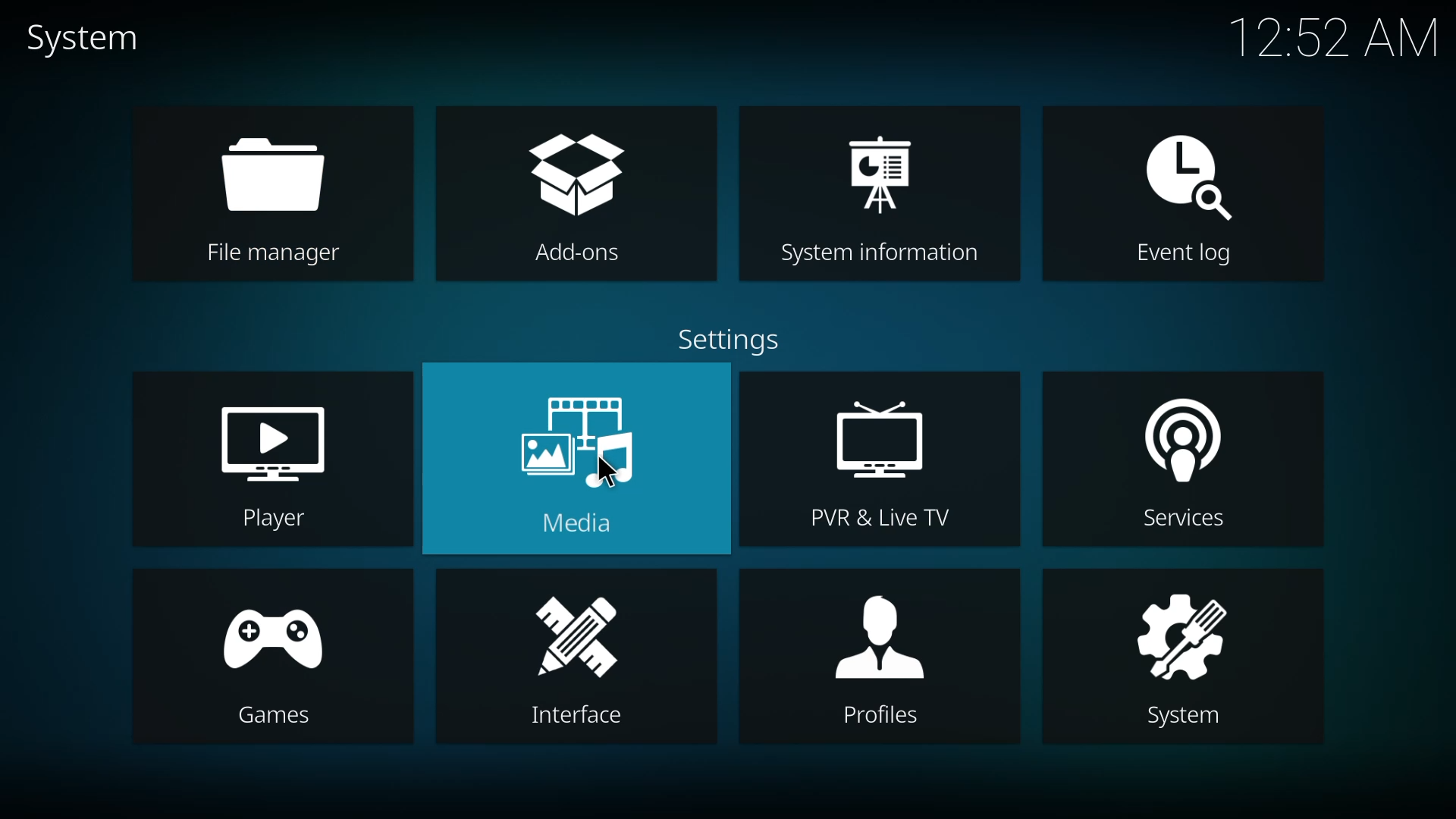 The image size is (1456, 819). Describe the element at coordinates (1181, 439) in the screenshot. I see `services` at that location.